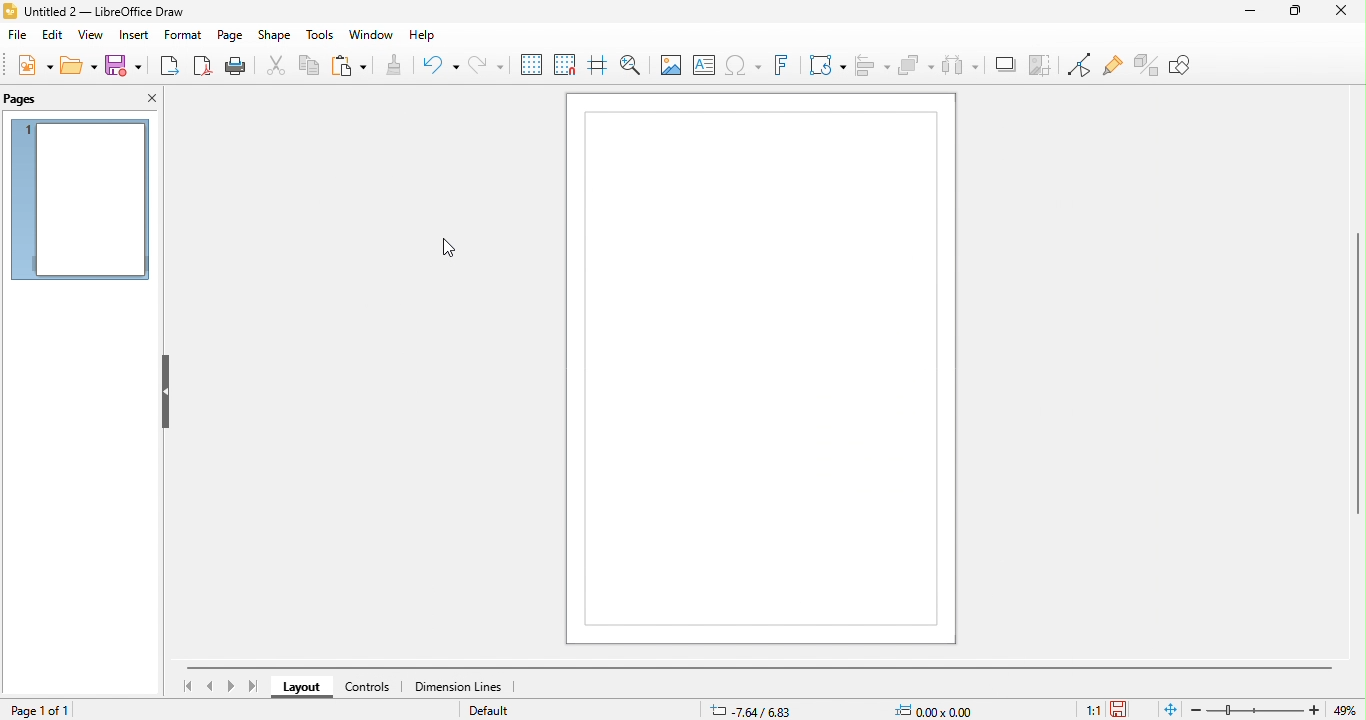 This screenshot has width=1366, height=720. Describe the element at coordinates (1172, 709) in the screenshot. I see `fit page to current window` at that location.